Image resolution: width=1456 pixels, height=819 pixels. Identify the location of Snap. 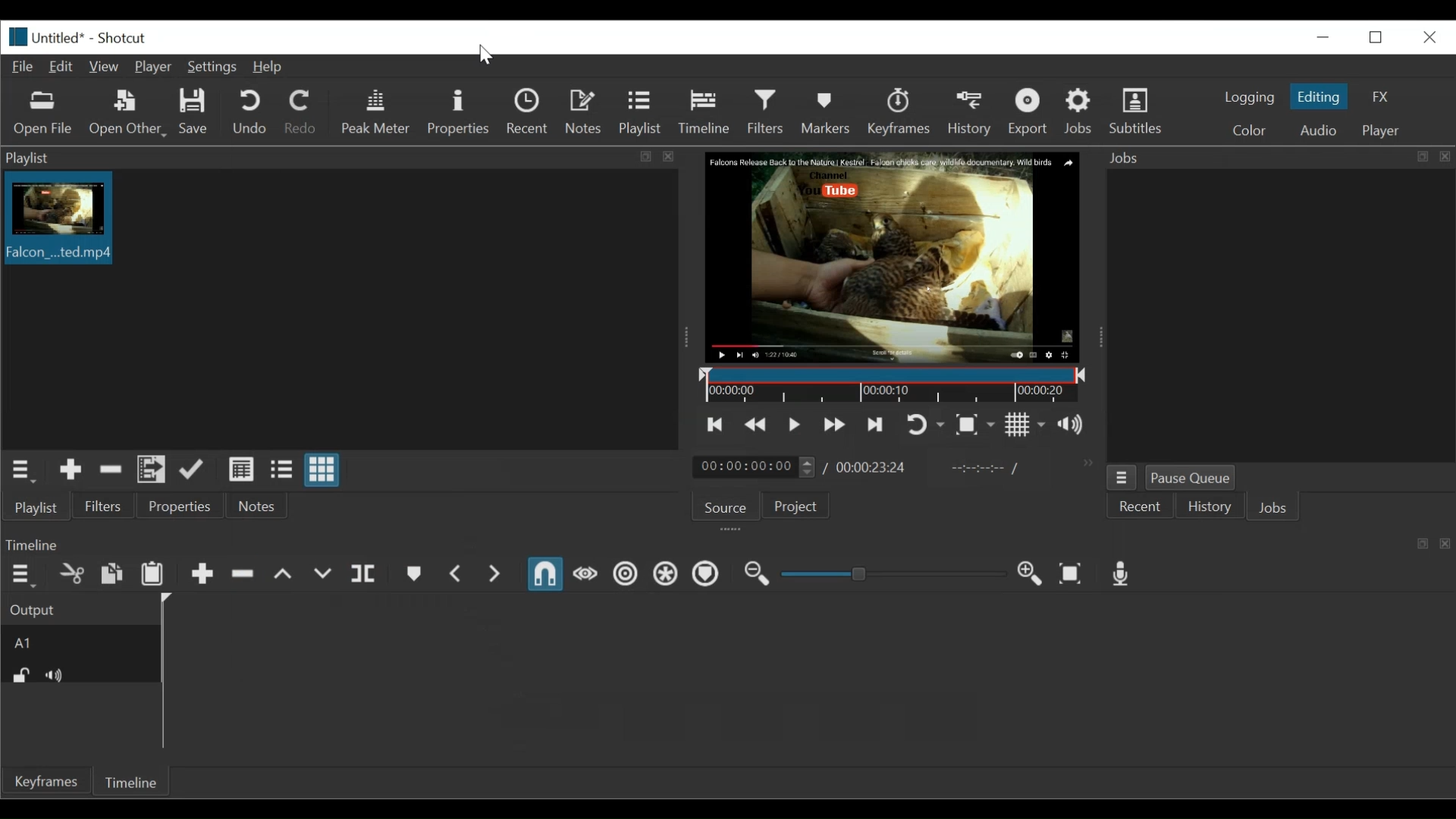
(548, 576).